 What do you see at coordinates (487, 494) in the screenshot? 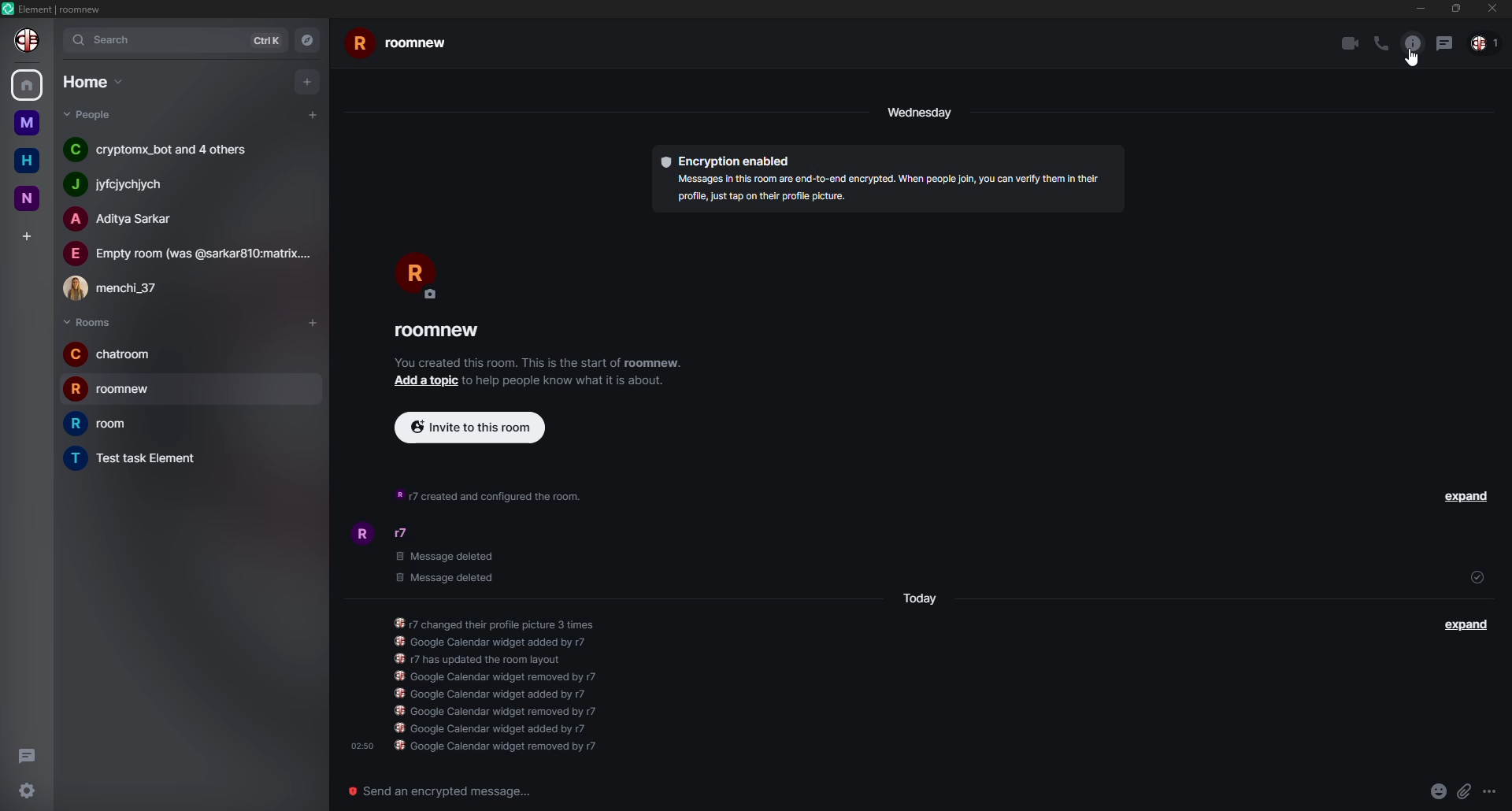
I see `info` at bounding box center [487, 494].